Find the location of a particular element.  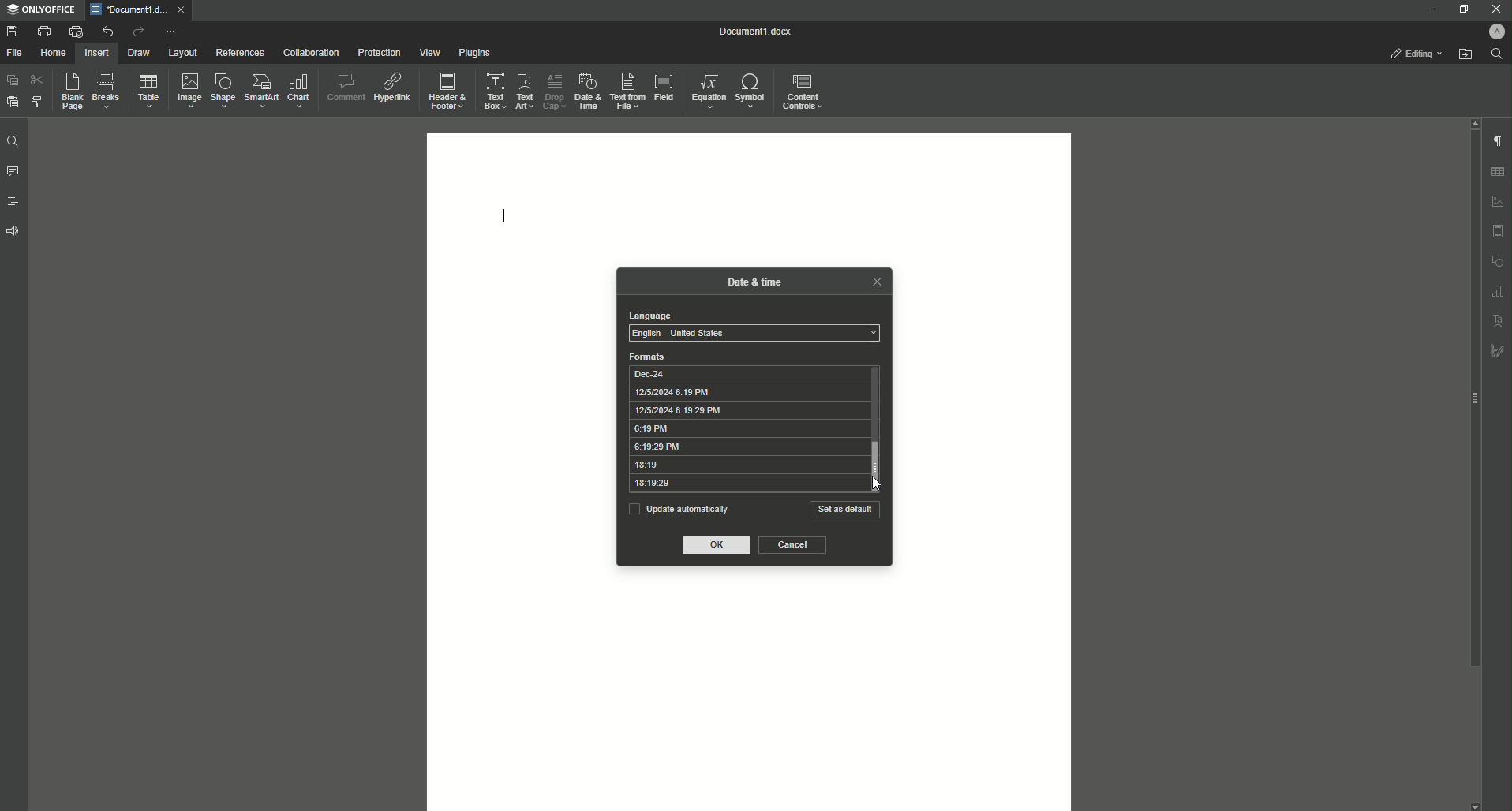

Paste is located at coordinates (11, 80).